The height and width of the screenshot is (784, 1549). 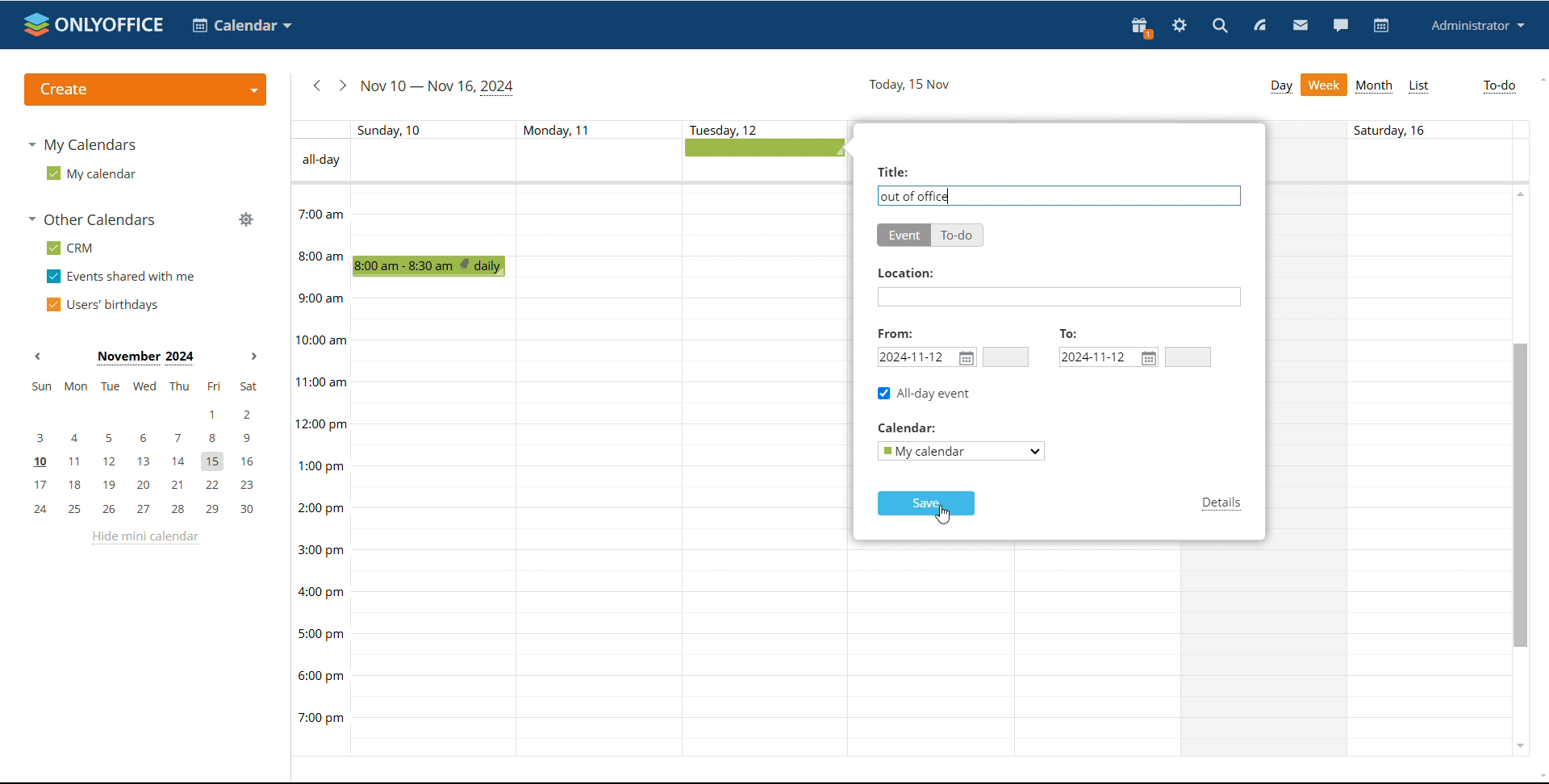 What do you see at coordinates (1323, 85) in the screenshot?
I see `week view` at bounding box center [1323, 85].